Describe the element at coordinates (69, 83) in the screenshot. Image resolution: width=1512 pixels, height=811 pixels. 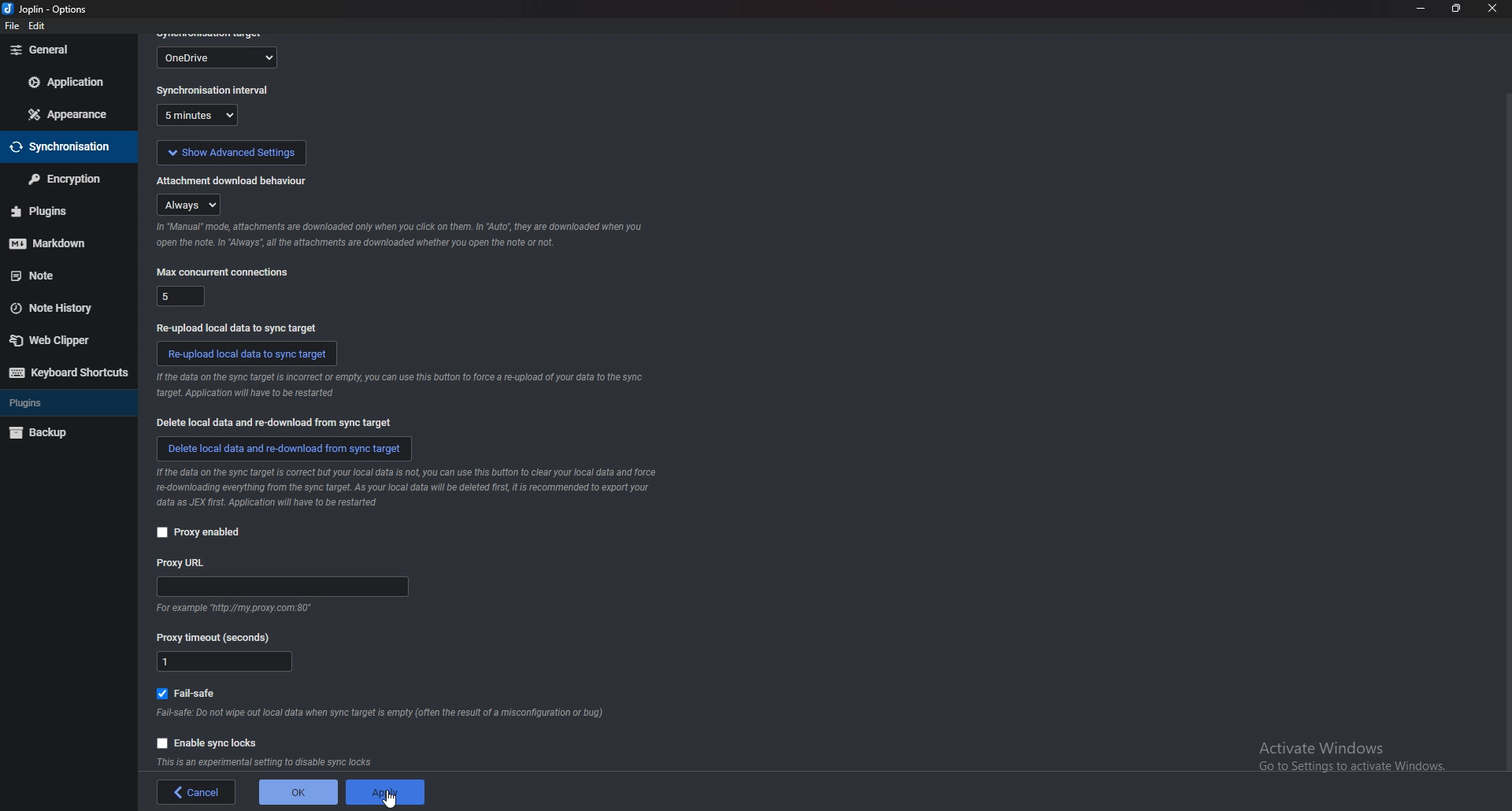
I see `application` at that location.